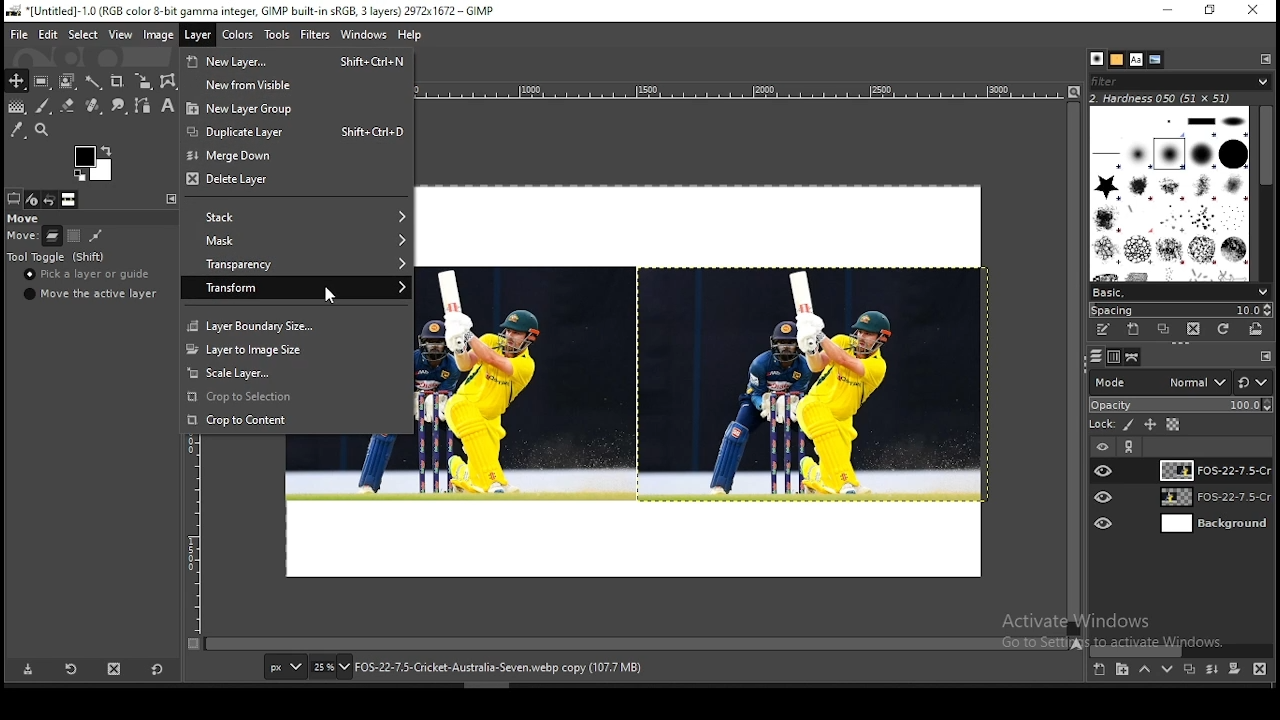 The height and width of the screenshot is (720, 1280). I want to click on mask, so click(295, 241).